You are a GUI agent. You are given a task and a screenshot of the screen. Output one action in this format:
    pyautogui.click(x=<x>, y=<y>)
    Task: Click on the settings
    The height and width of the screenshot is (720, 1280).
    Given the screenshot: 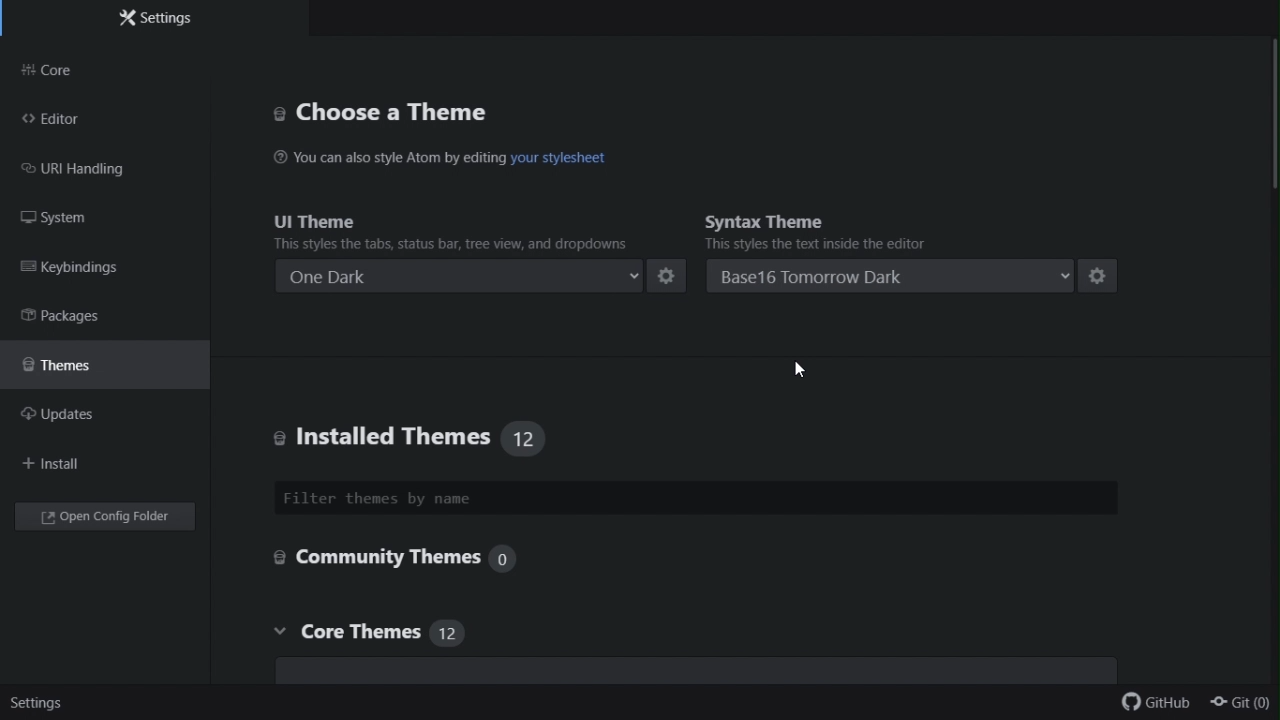 What is the action you would take?
    pyautogui.click(x=669, y=276)
    